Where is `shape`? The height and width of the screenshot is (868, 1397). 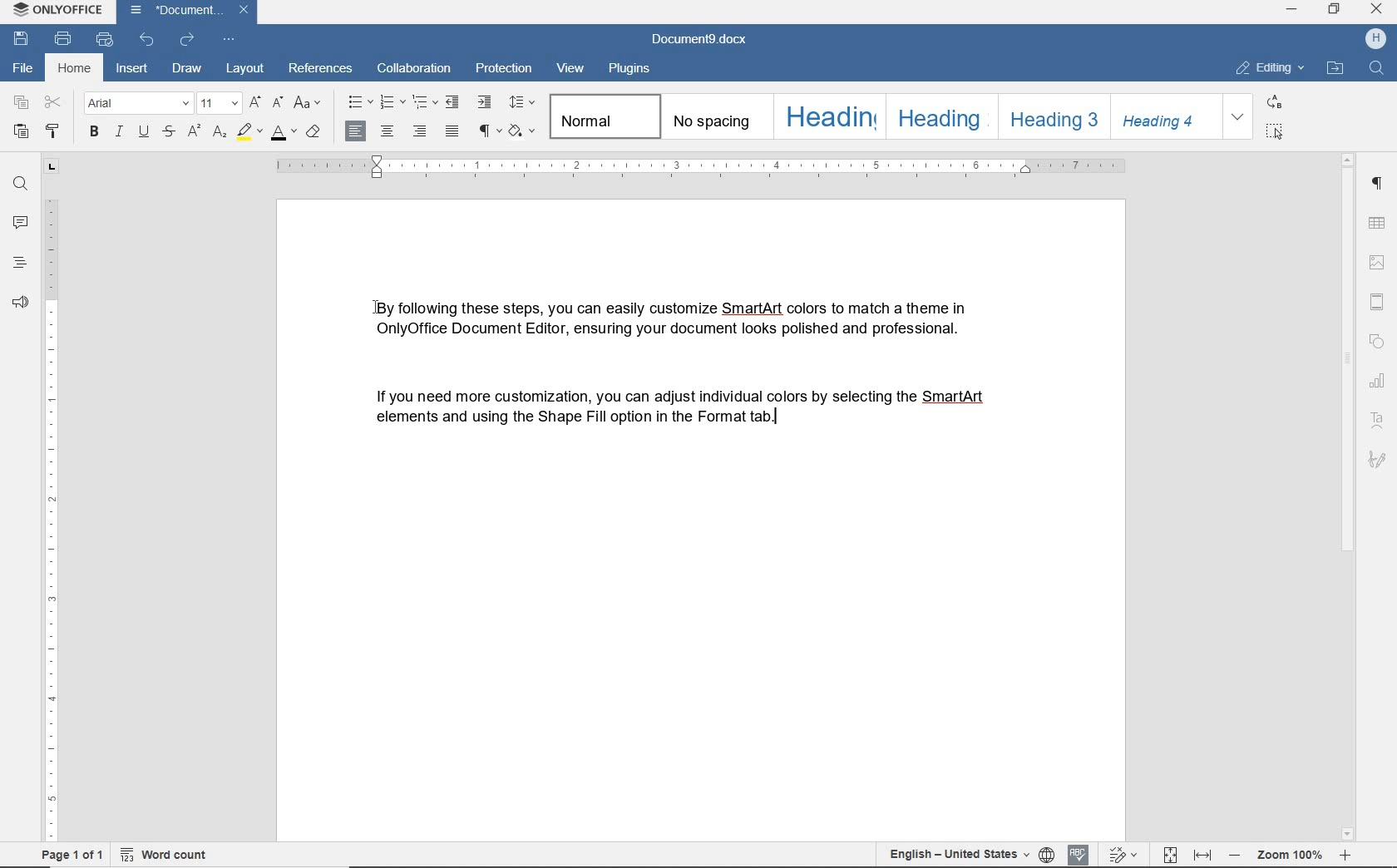 shape is located at coordinates (1377, 338).